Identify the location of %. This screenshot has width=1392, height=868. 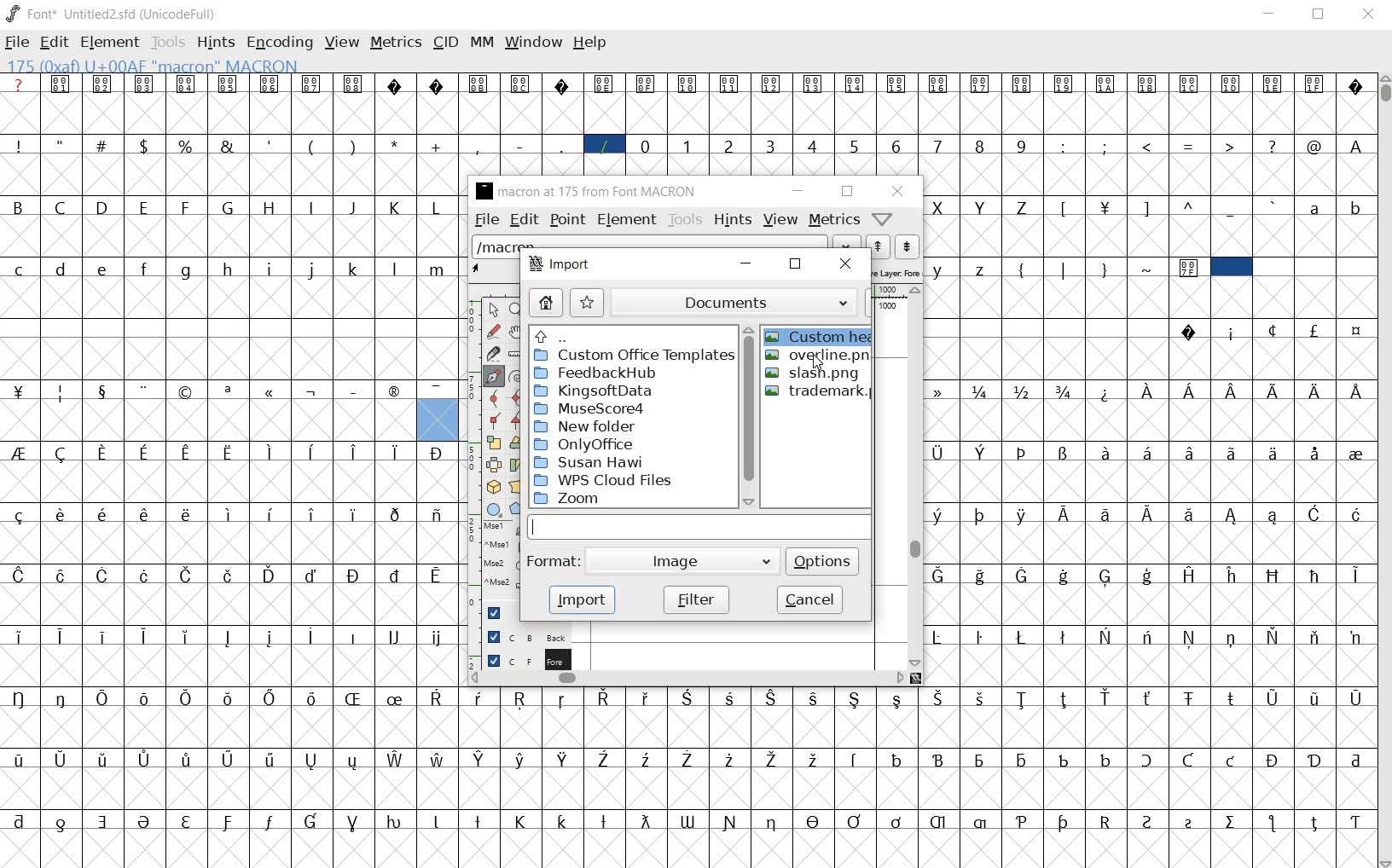
(187, 144).